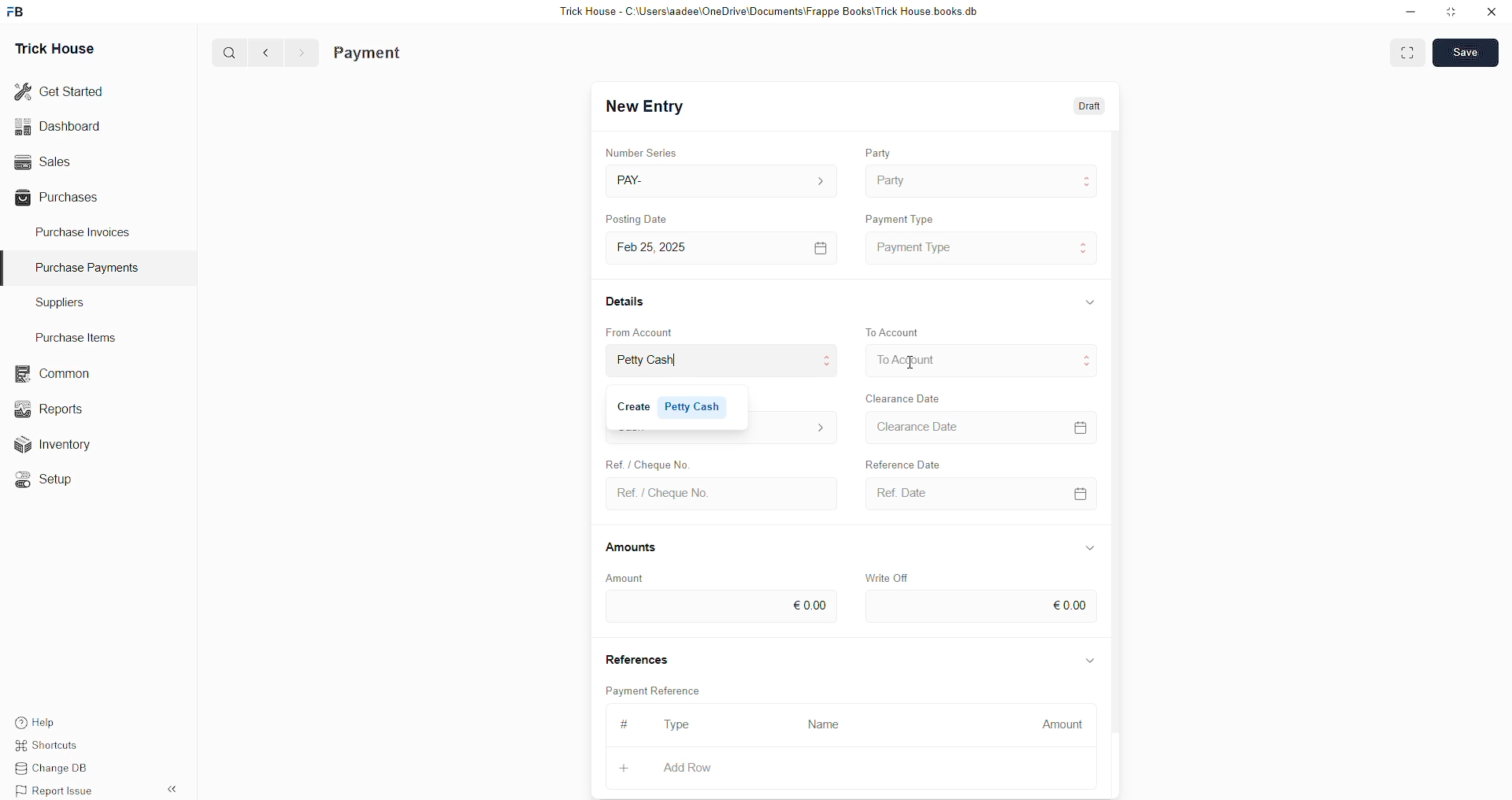 This screenshot has width=1512, height=800. Describe the element at coordinates (688, 767) in the screenshot. I see `Add Row` at that location.